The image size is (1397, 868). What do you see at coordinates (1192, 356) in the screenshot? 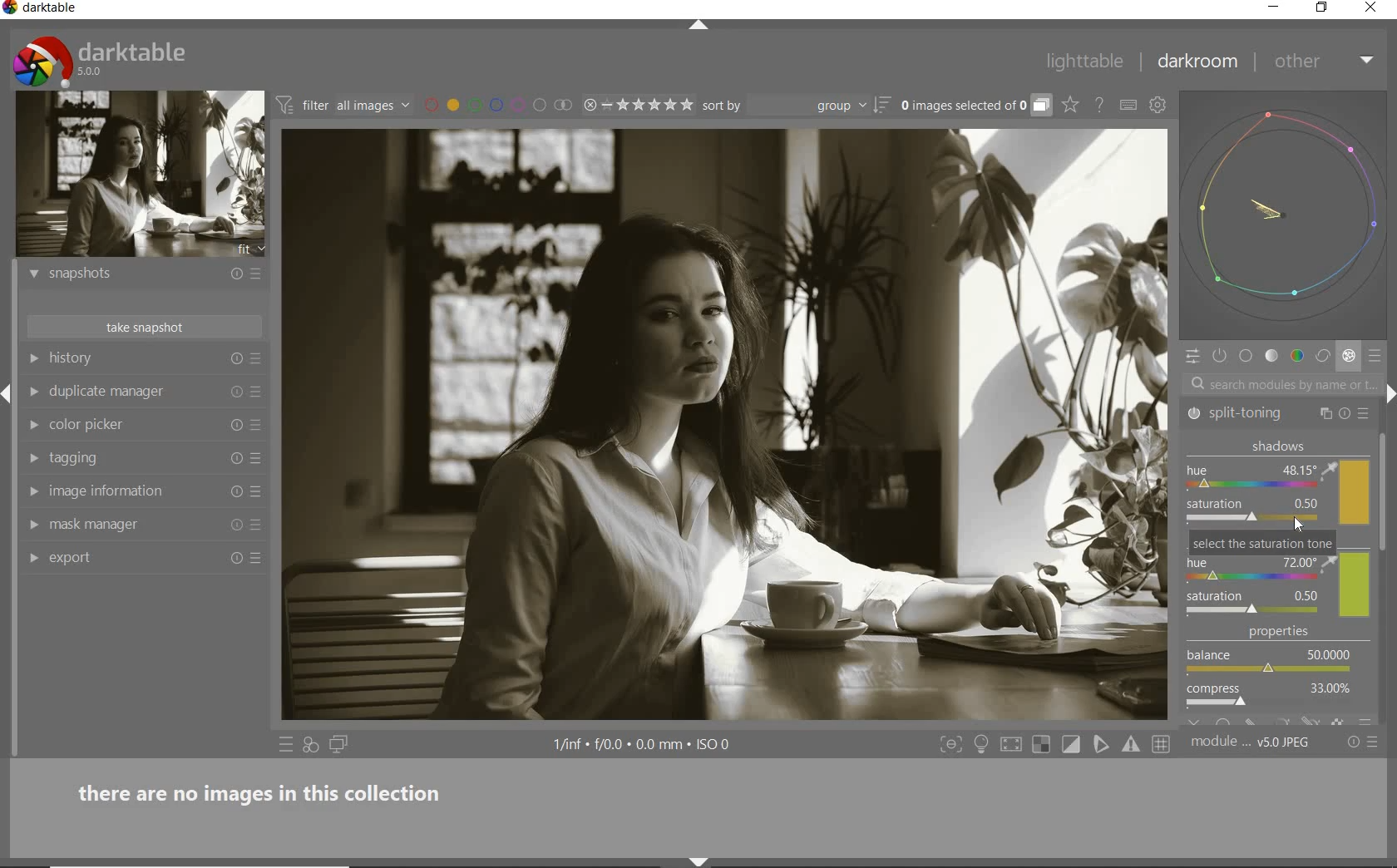
I see `quick access panel` at bounding box center [1192, 356].